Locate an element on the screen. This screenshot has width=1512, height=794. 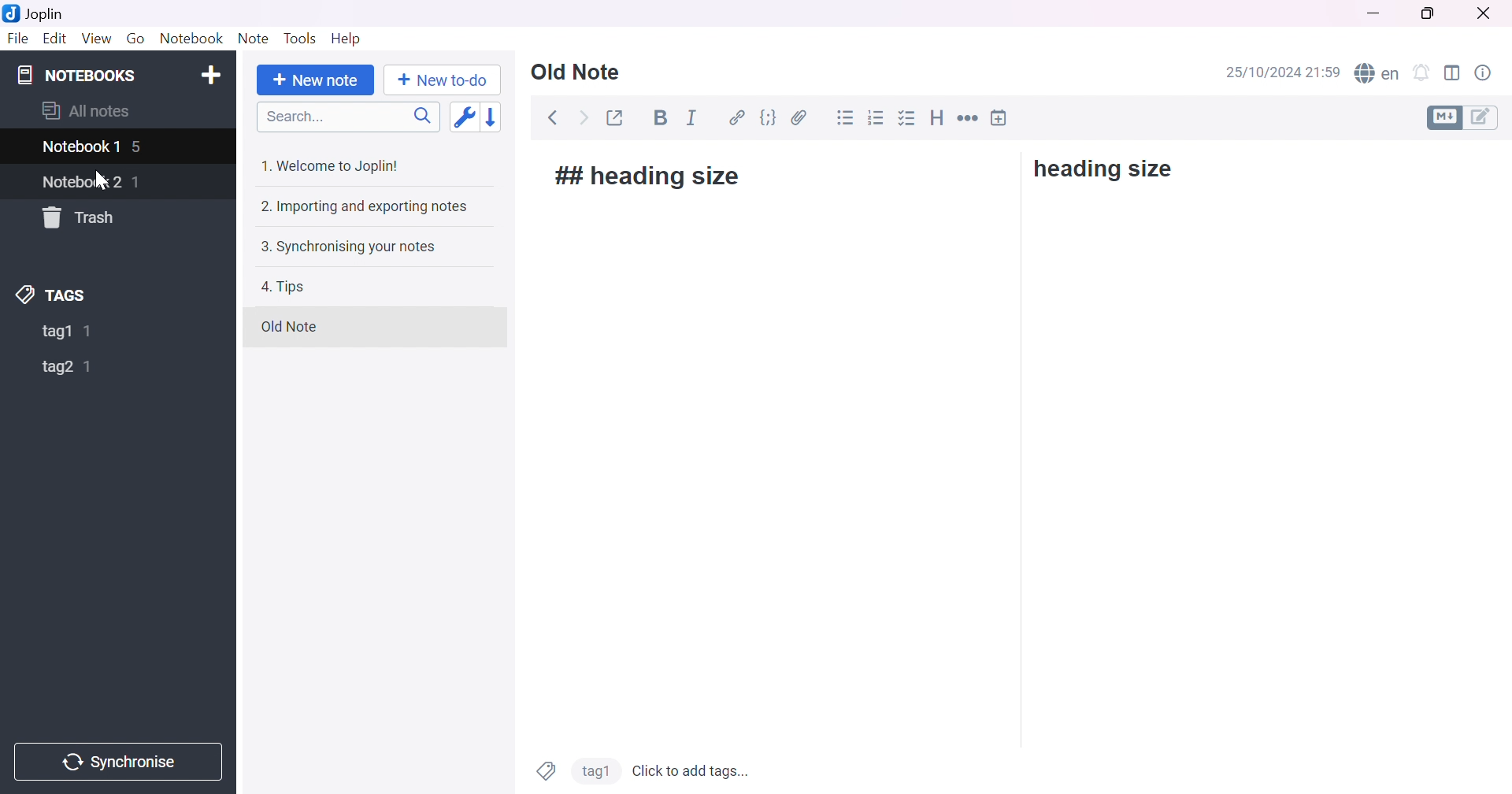
Spell checker is located at coordinates (1377, 71).